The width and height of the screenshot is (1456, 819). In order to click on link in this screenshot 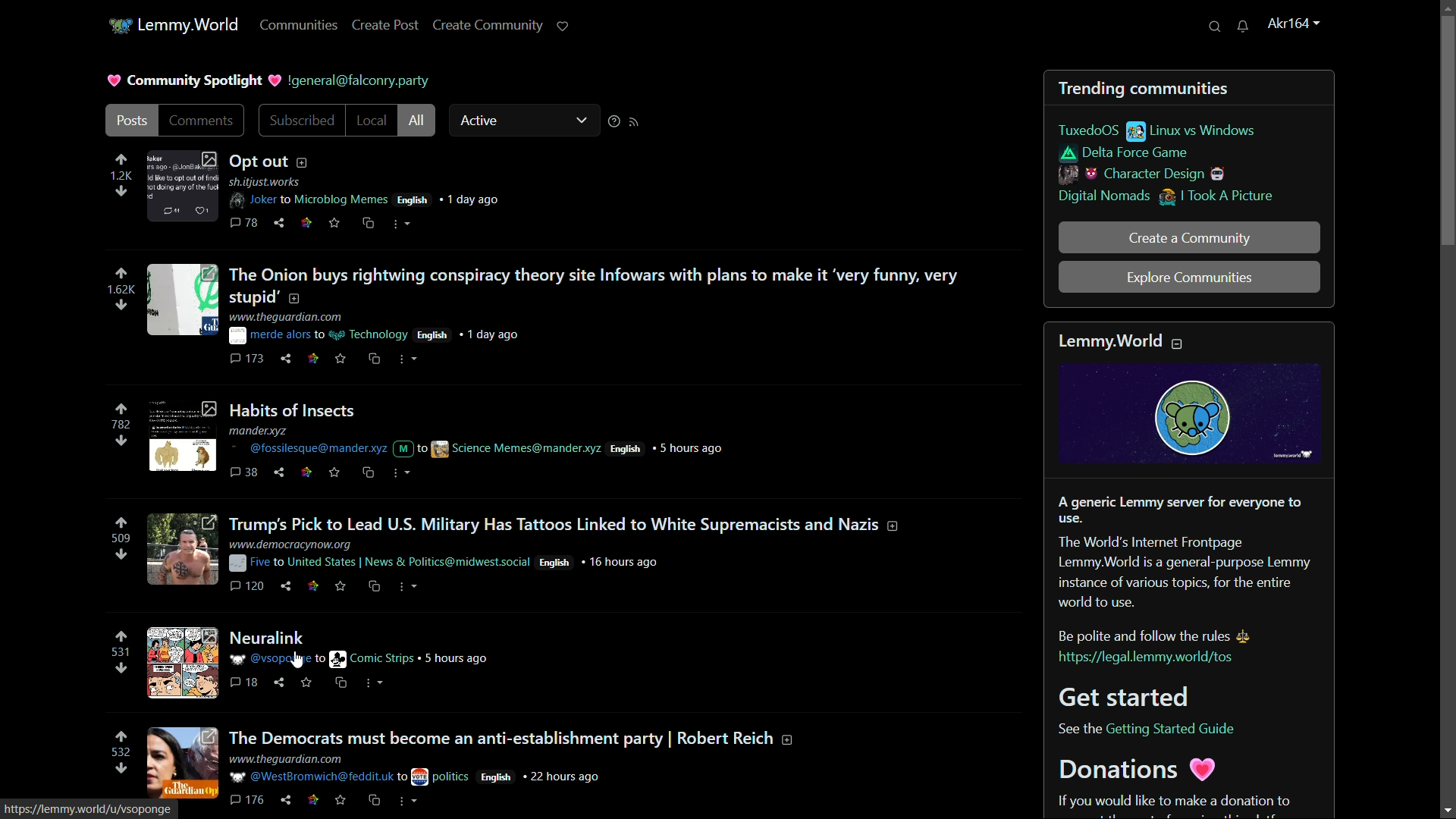, I will do `click(309, 223)`.